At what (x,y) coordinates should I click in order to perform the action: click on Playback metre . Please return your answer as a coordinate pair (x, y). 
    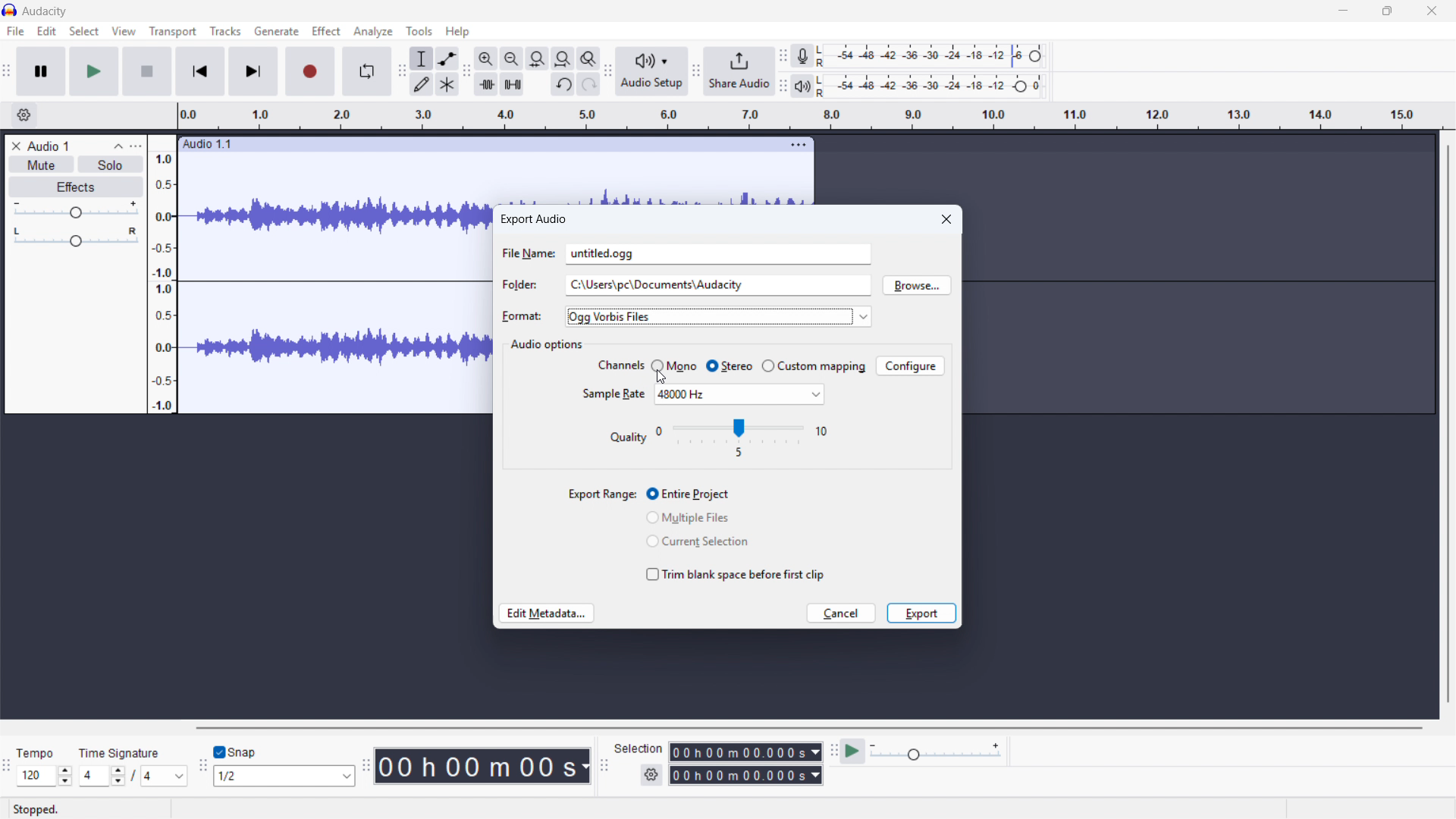
    Looking at the image, I should click on (803, 86).